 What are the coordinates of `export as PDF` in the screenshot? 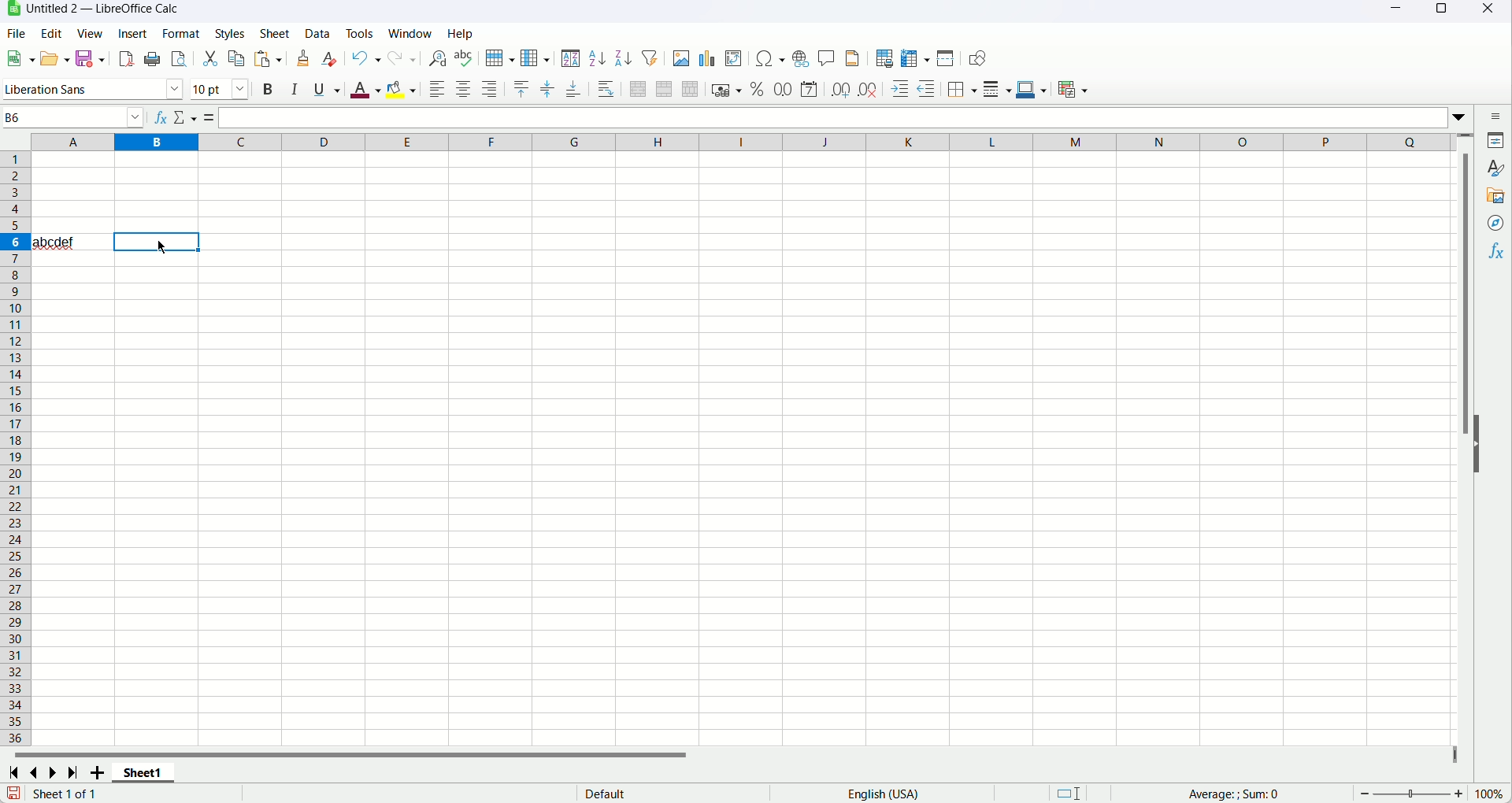 It's located at (127, 59).